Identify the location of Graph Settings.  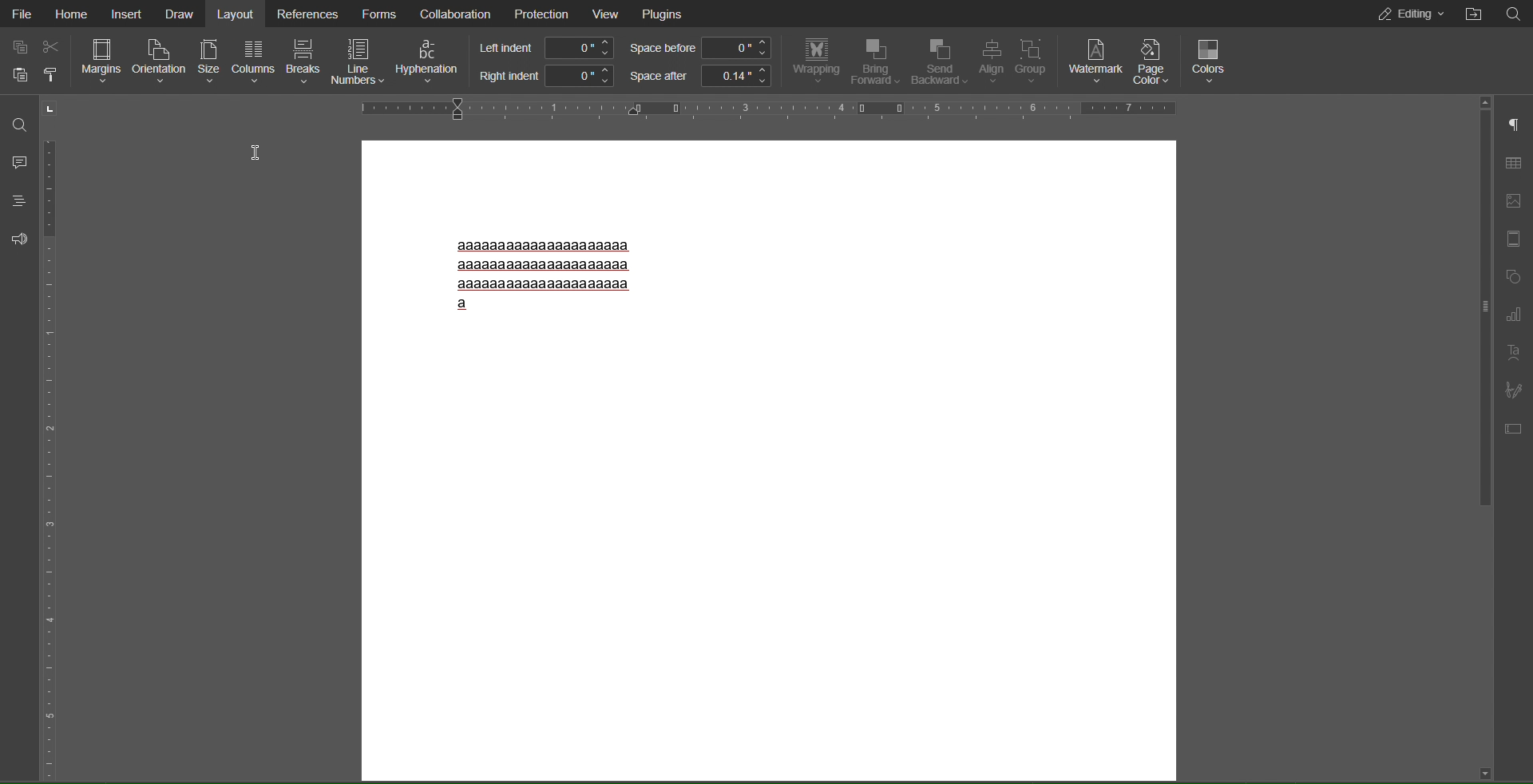
(1512, 315).